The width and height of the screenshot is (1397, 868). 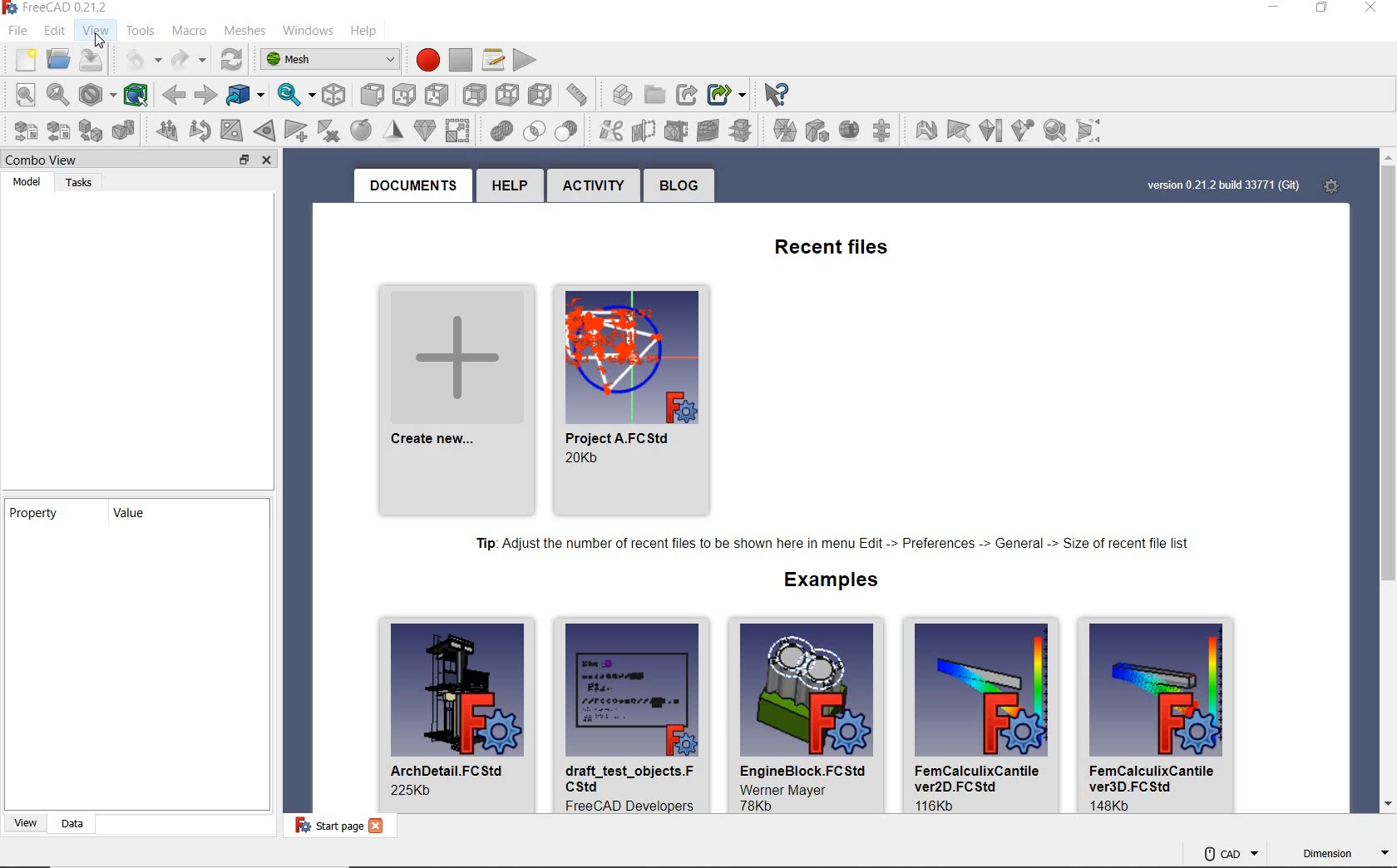 I want to click on forward, so click(x=205, y=94).